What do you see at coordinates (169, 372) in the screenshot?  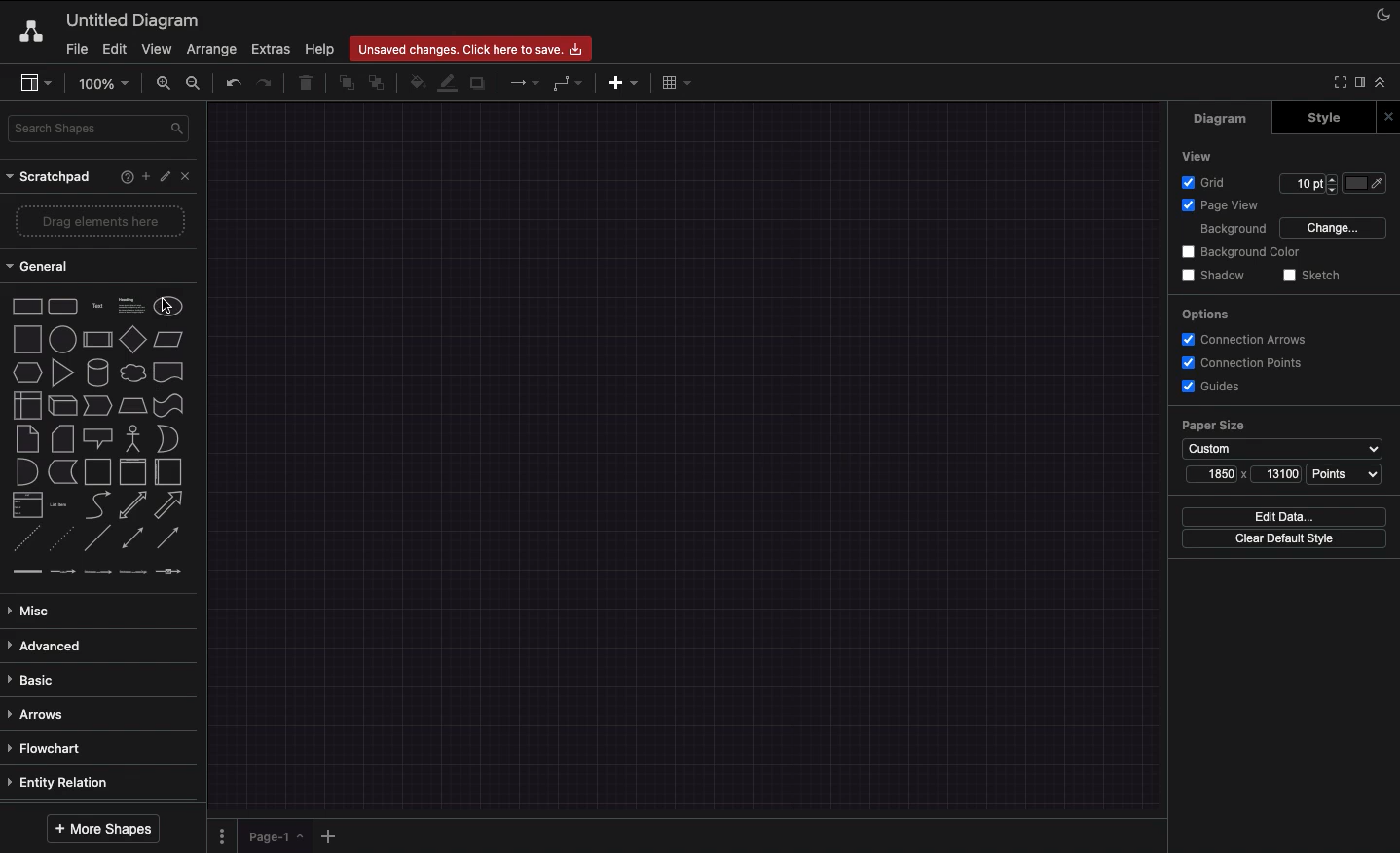 I see `Document` at bounding box center [169, 372].